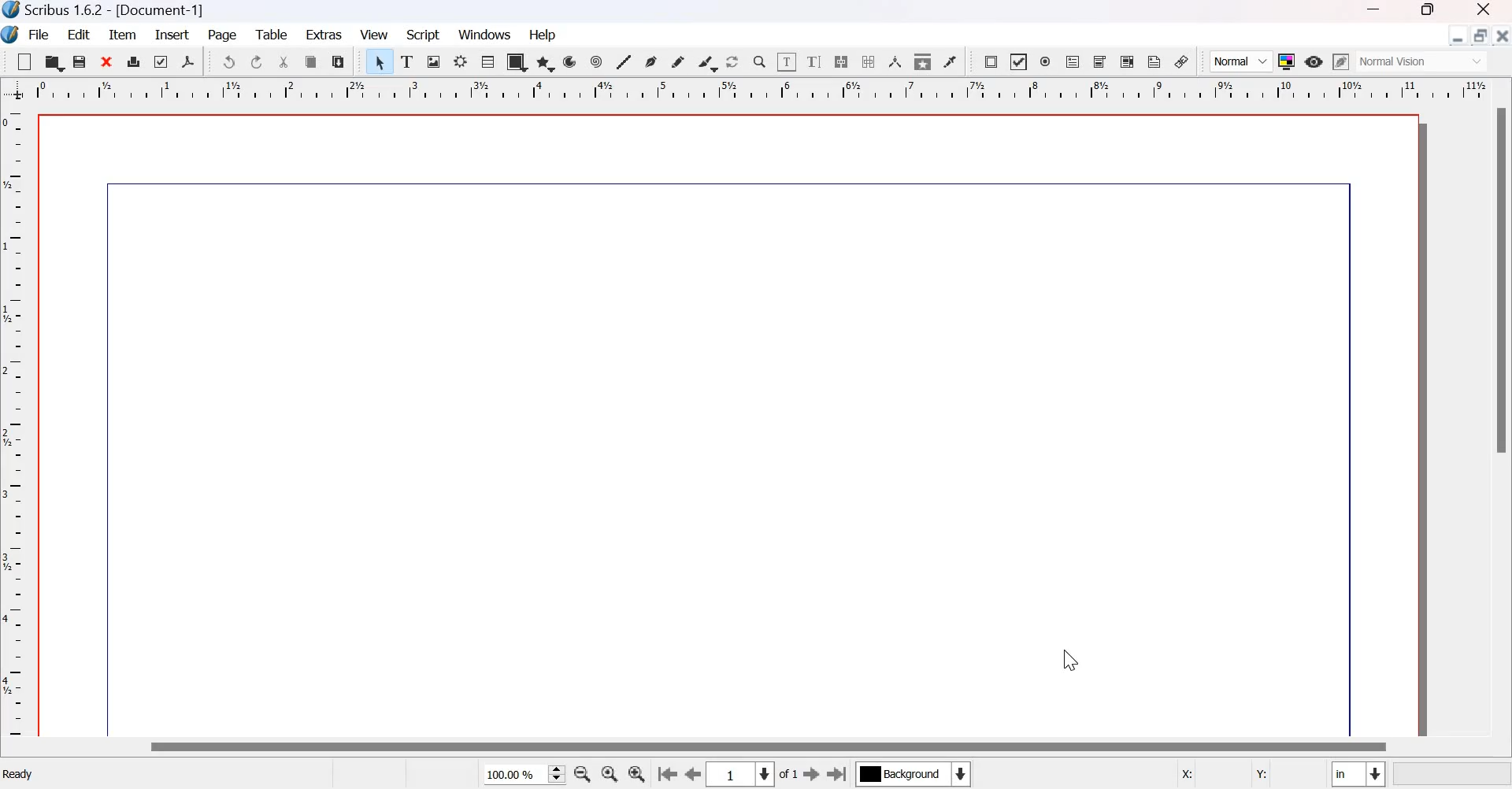 The height and width of the screenshot is (789, 1512). I want to click on Select item, so click(380, 61).